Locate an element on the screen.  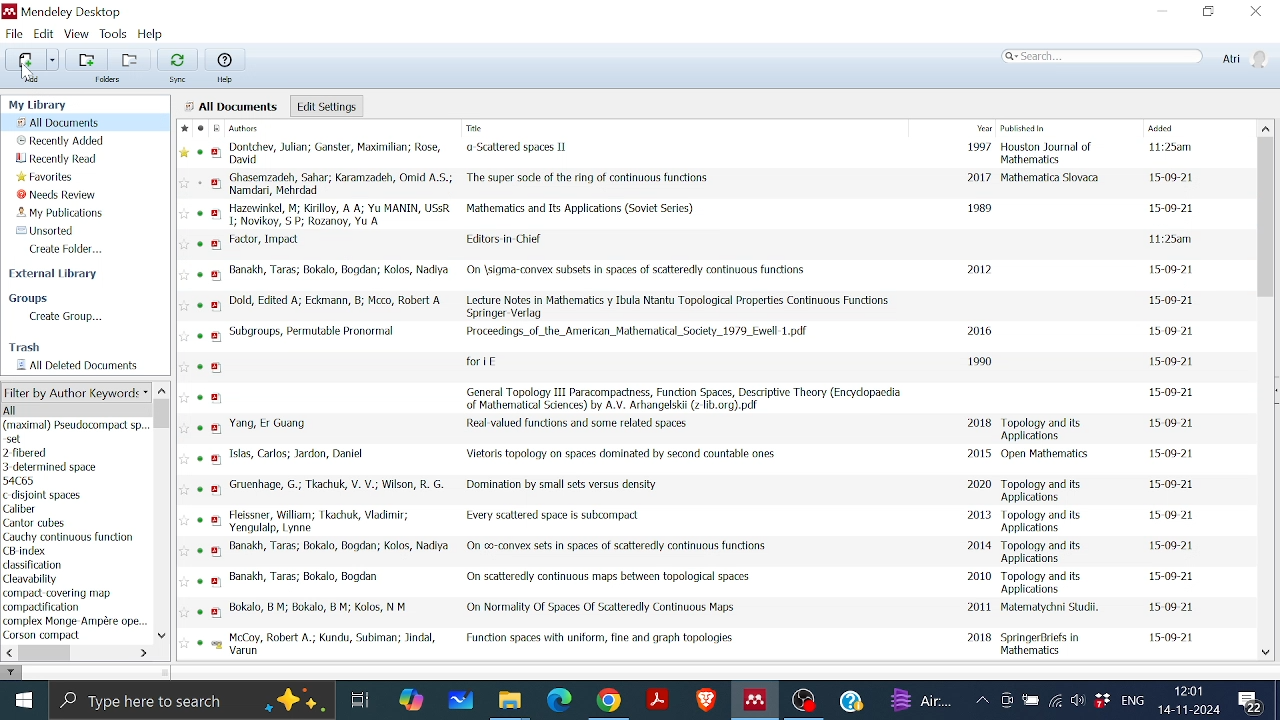
Title is located at coordinates (637, 271).